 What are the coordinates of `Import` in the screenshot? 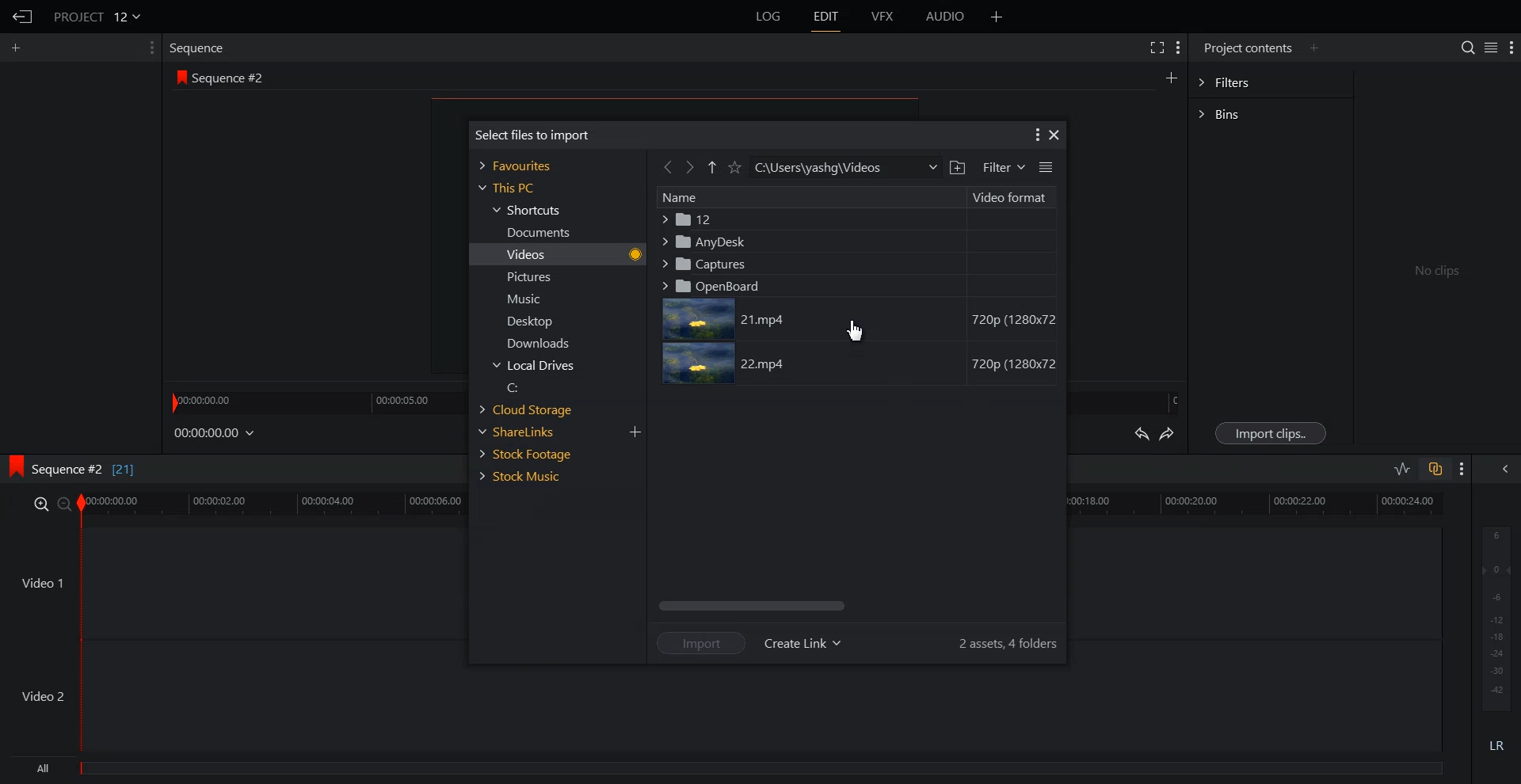 It's located at (702, 642).